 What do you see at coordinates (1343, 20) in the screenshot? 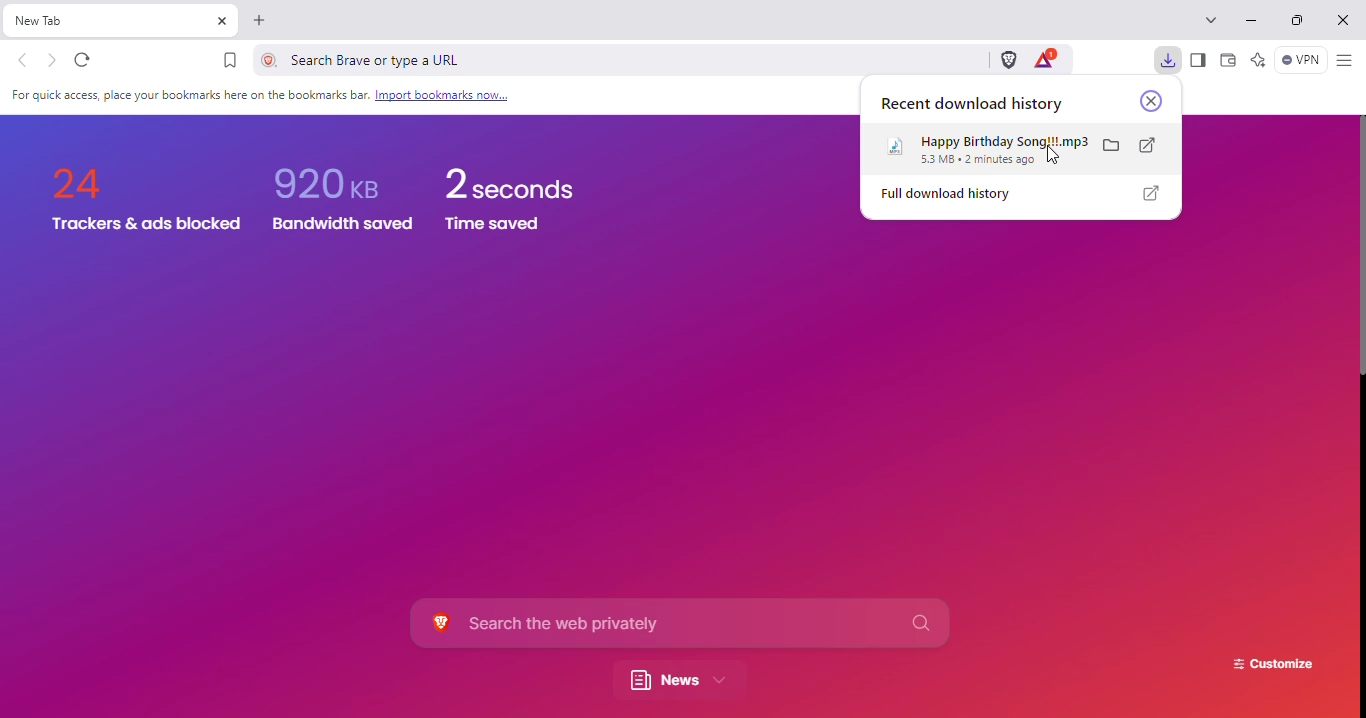
I see `close` at bounding box center [1343, 20].